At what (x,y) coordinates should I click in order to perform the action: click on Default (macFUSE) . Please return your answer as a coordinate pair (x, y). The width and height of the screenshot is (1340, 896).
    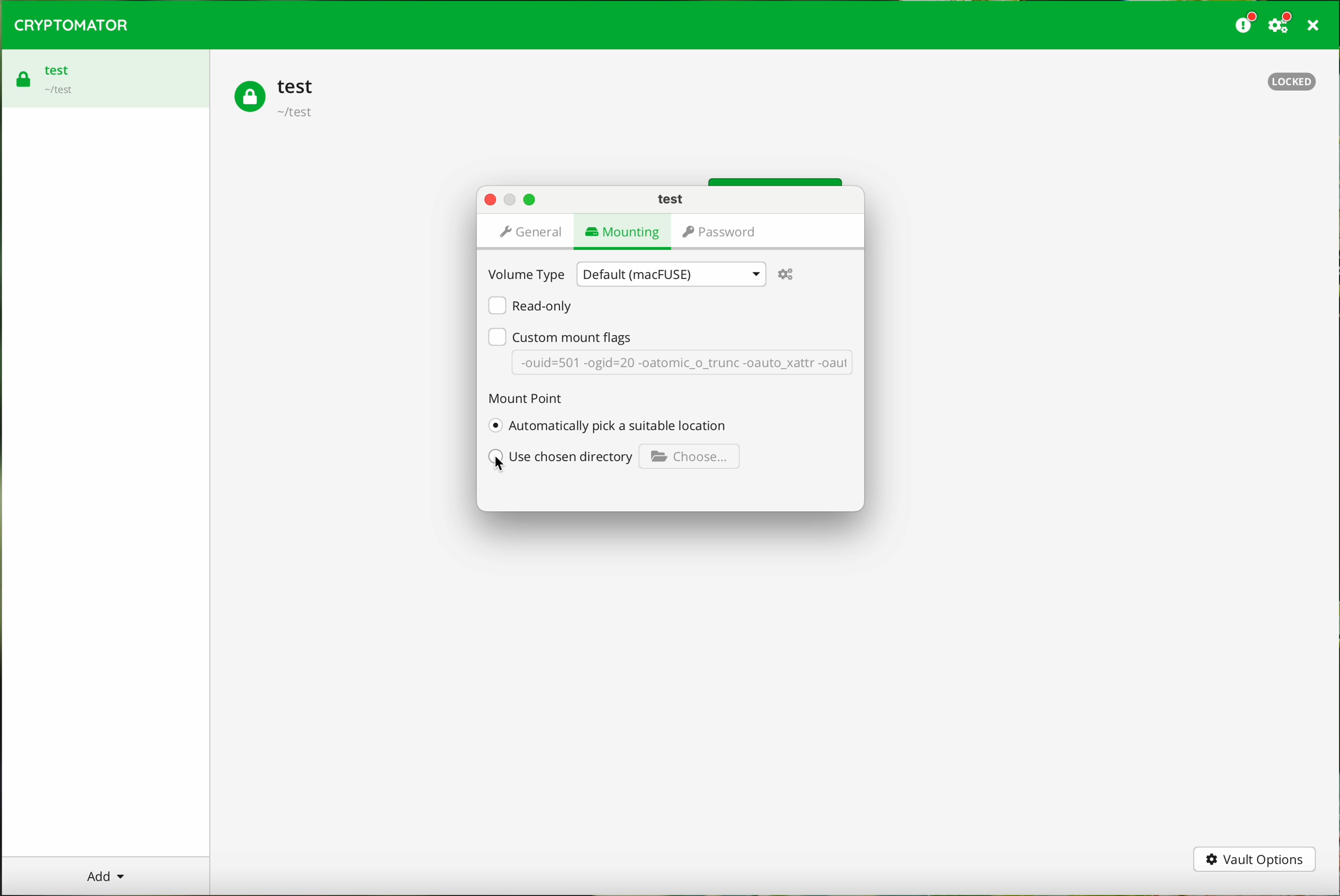
    Looking at the image, I should click on (669, 275).